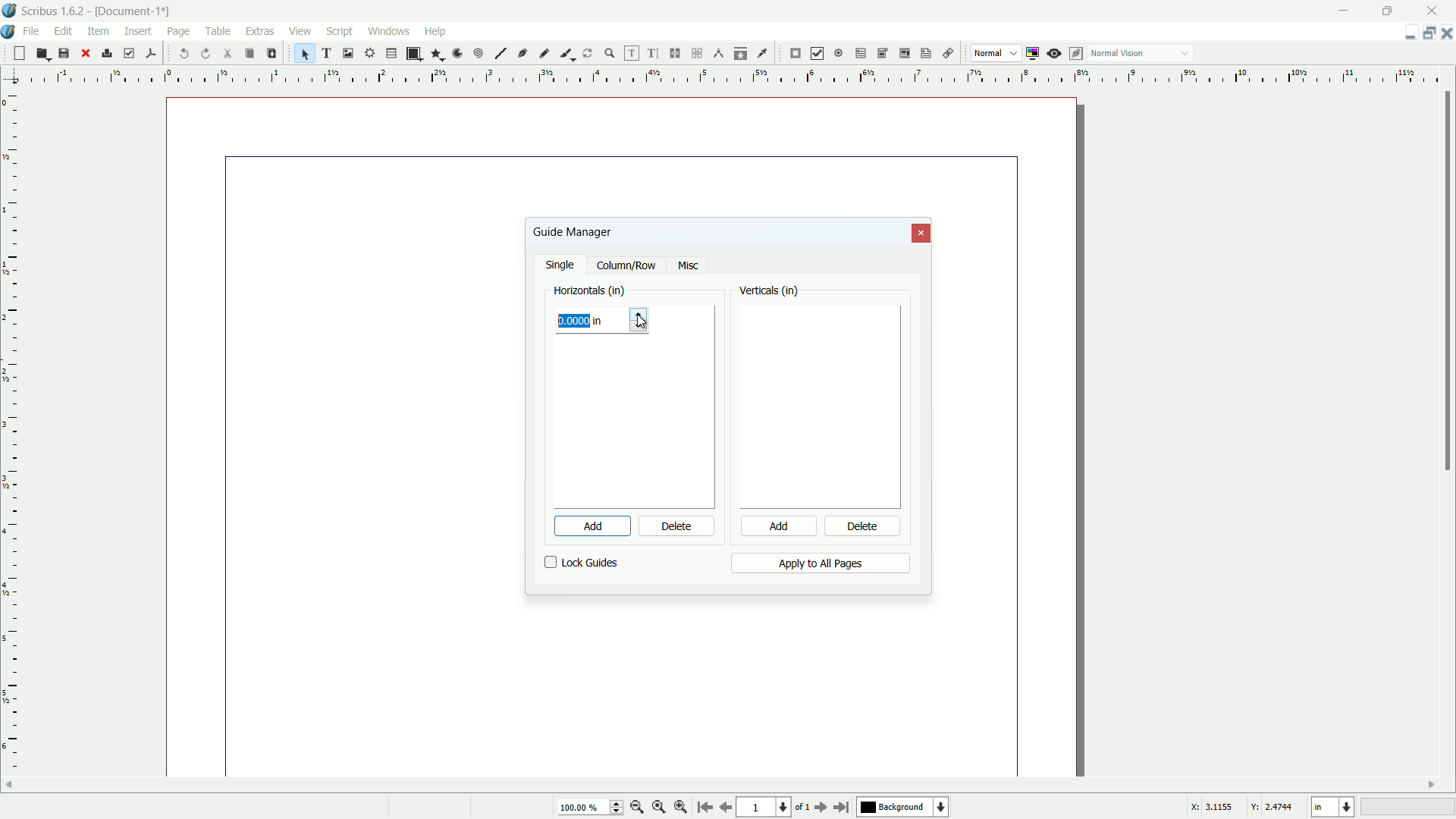 The width and height of the screenshot is (1456, 819). I want to click on zoom to 100%, so click(659, 808).